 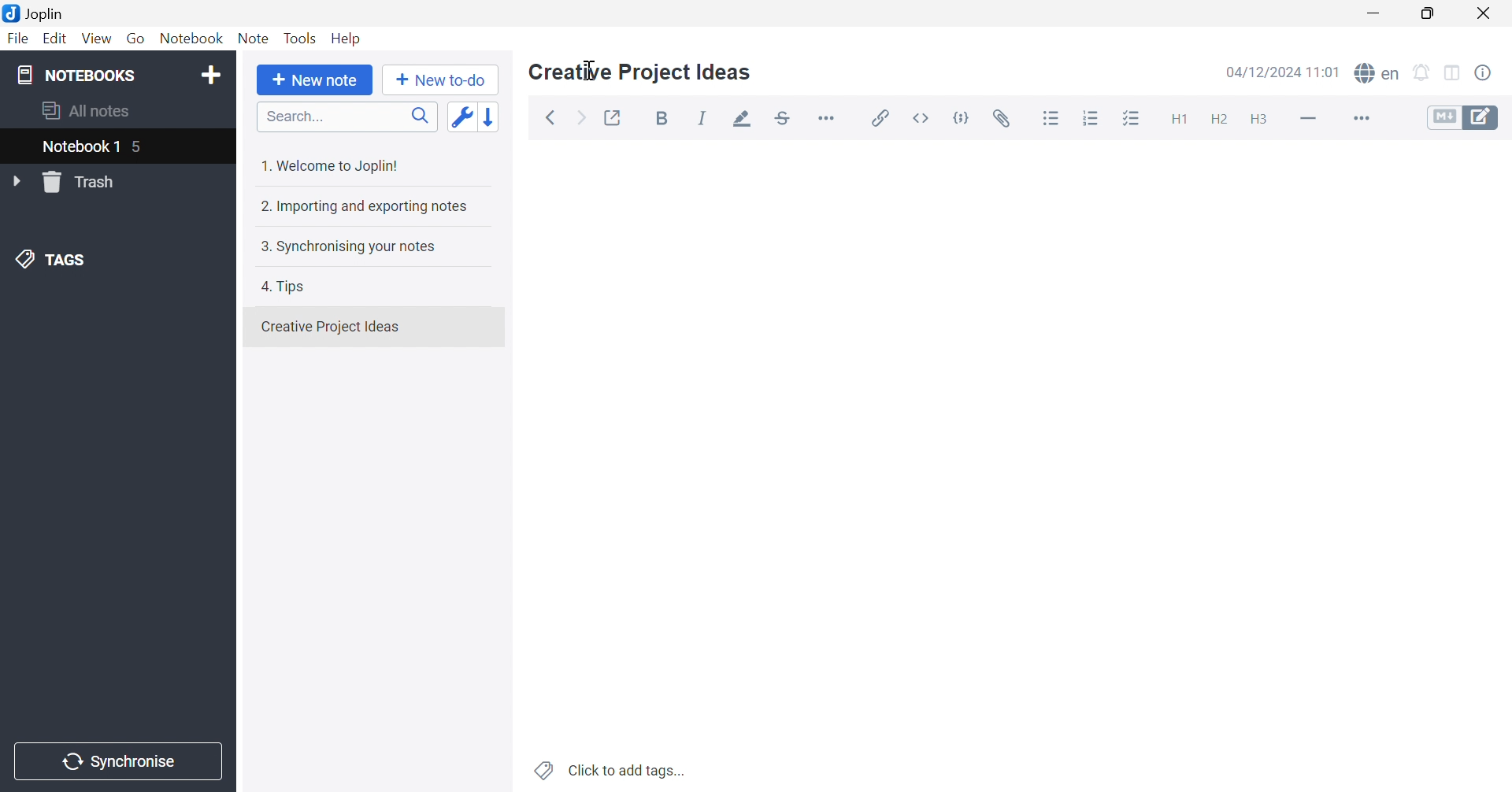 What do you see at coordinates (744, 120) in the screenshot?
I see `Highlight` at bounding box center [744, 120].